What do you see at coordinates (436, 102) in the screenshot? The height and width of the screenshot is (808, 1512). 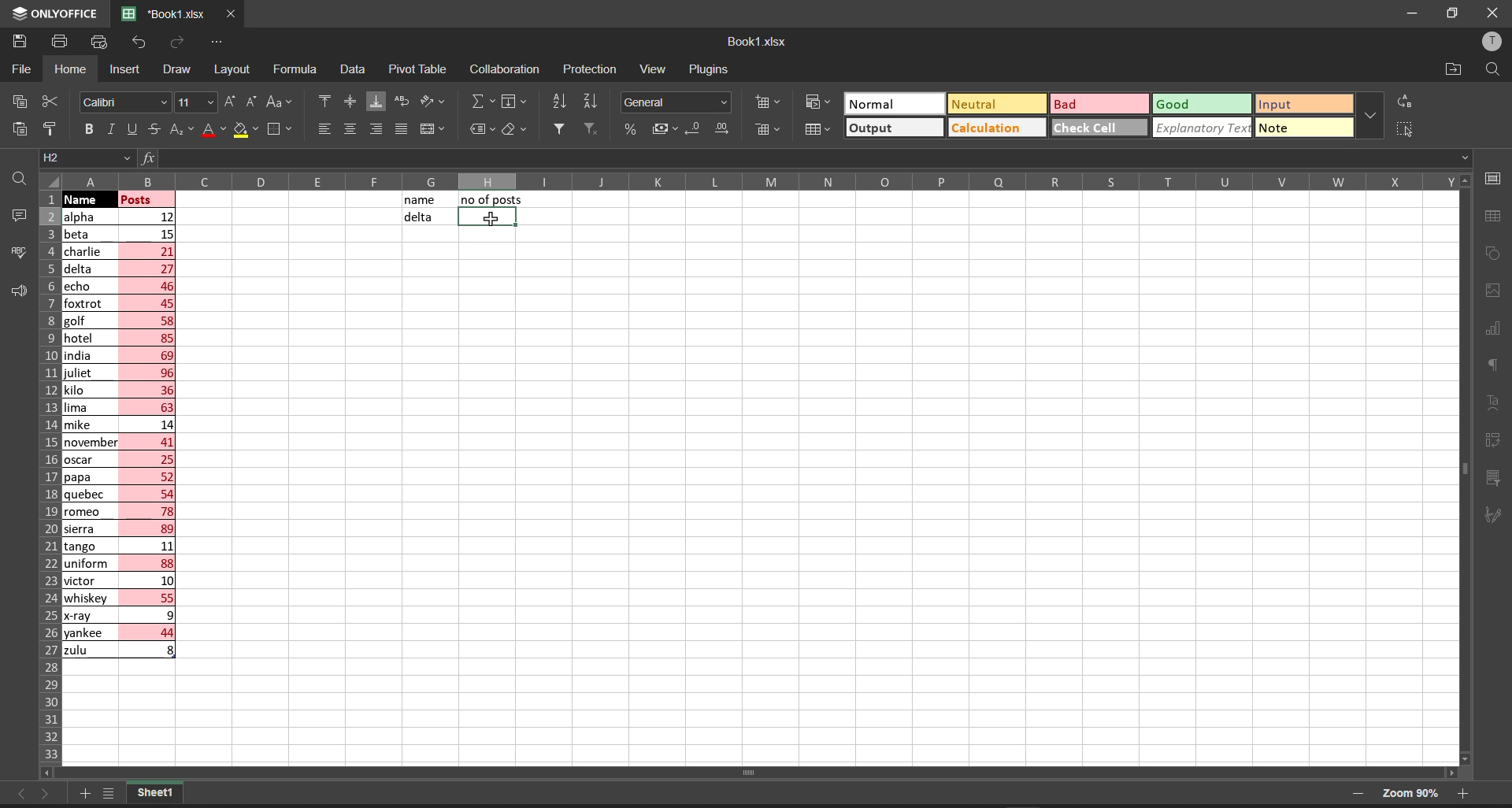 I see `orientation` at bounding box center [436, 102].